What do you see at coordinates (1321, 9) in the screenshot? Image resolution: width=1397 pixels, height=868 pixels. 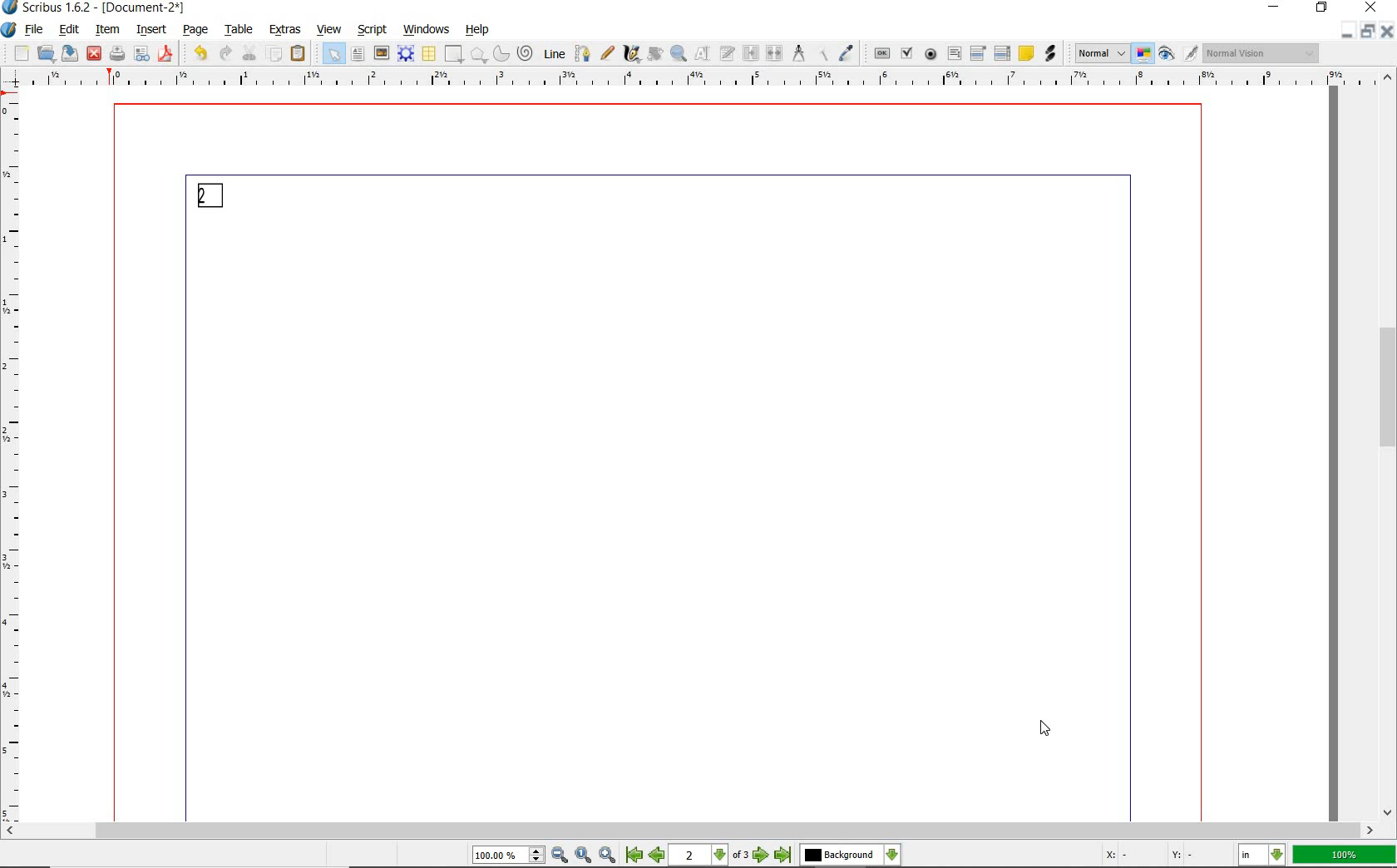 I see `restore` at bounding box center [1321, 9].